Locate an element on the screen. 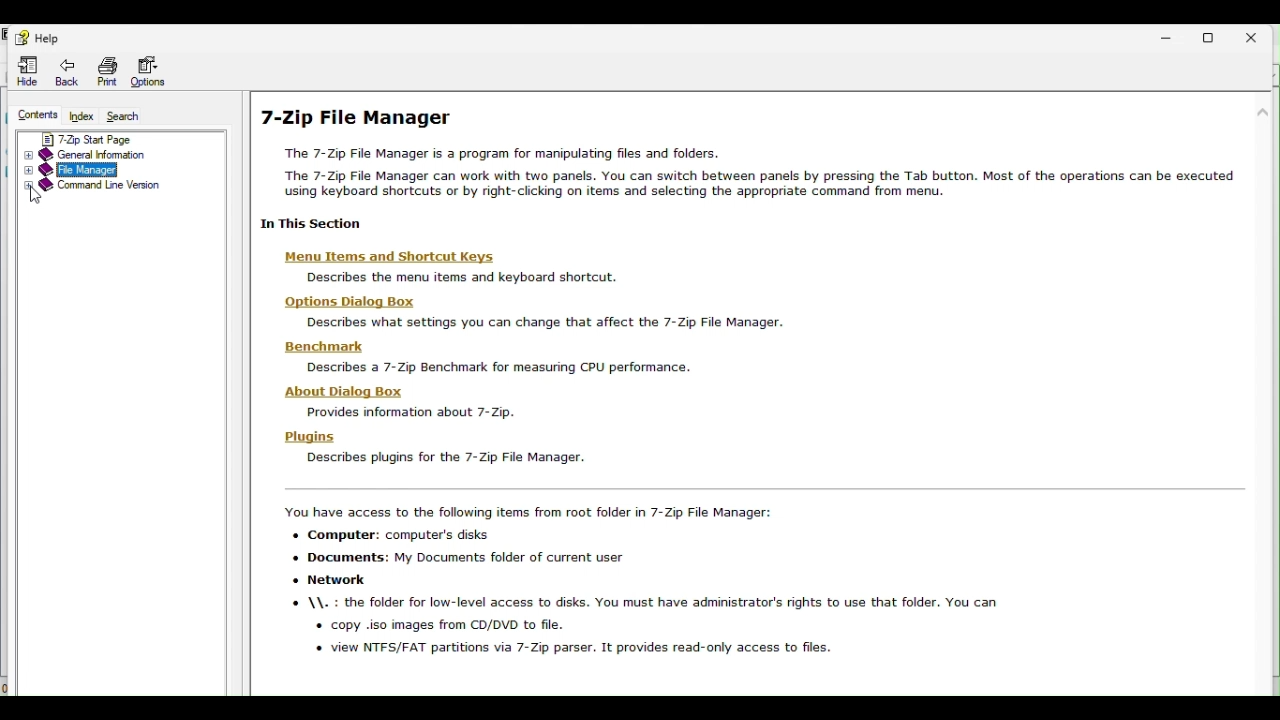 The image size is (1280, 720). command line version is located at coordinates (117, 193).